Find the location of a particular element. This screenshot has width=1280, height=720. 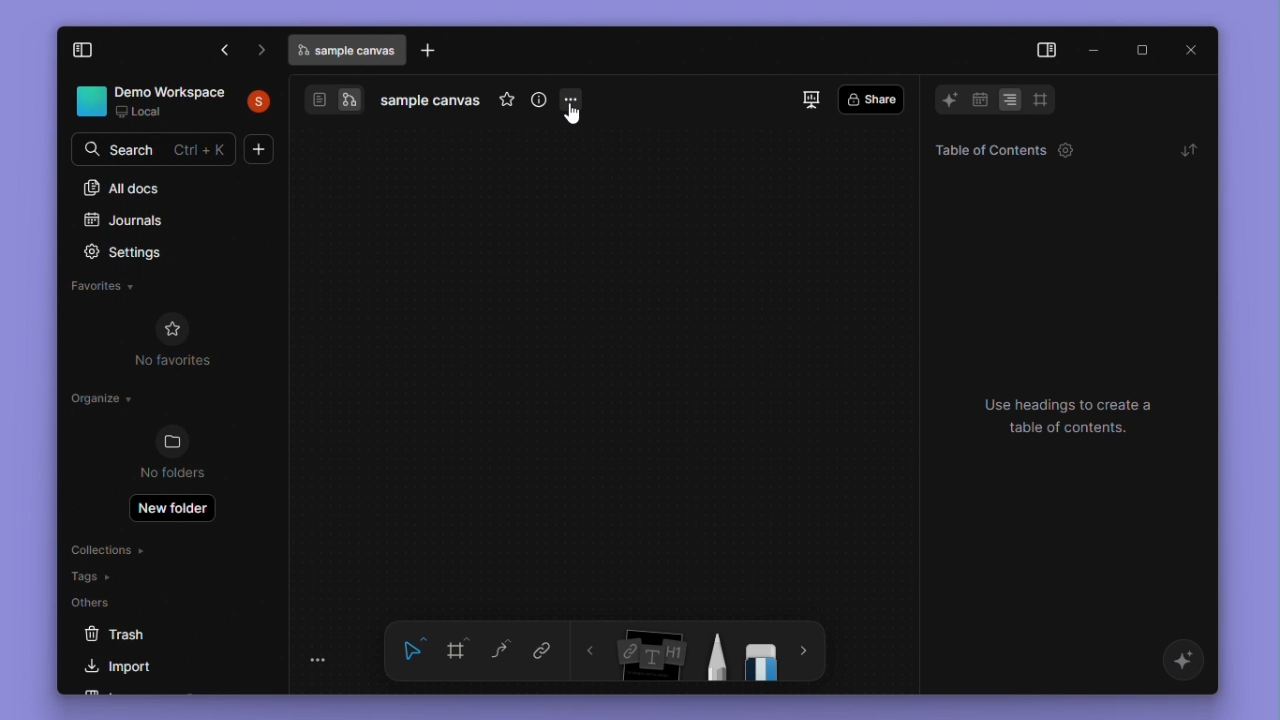

Maximize is located at coordinates (1141, 50).